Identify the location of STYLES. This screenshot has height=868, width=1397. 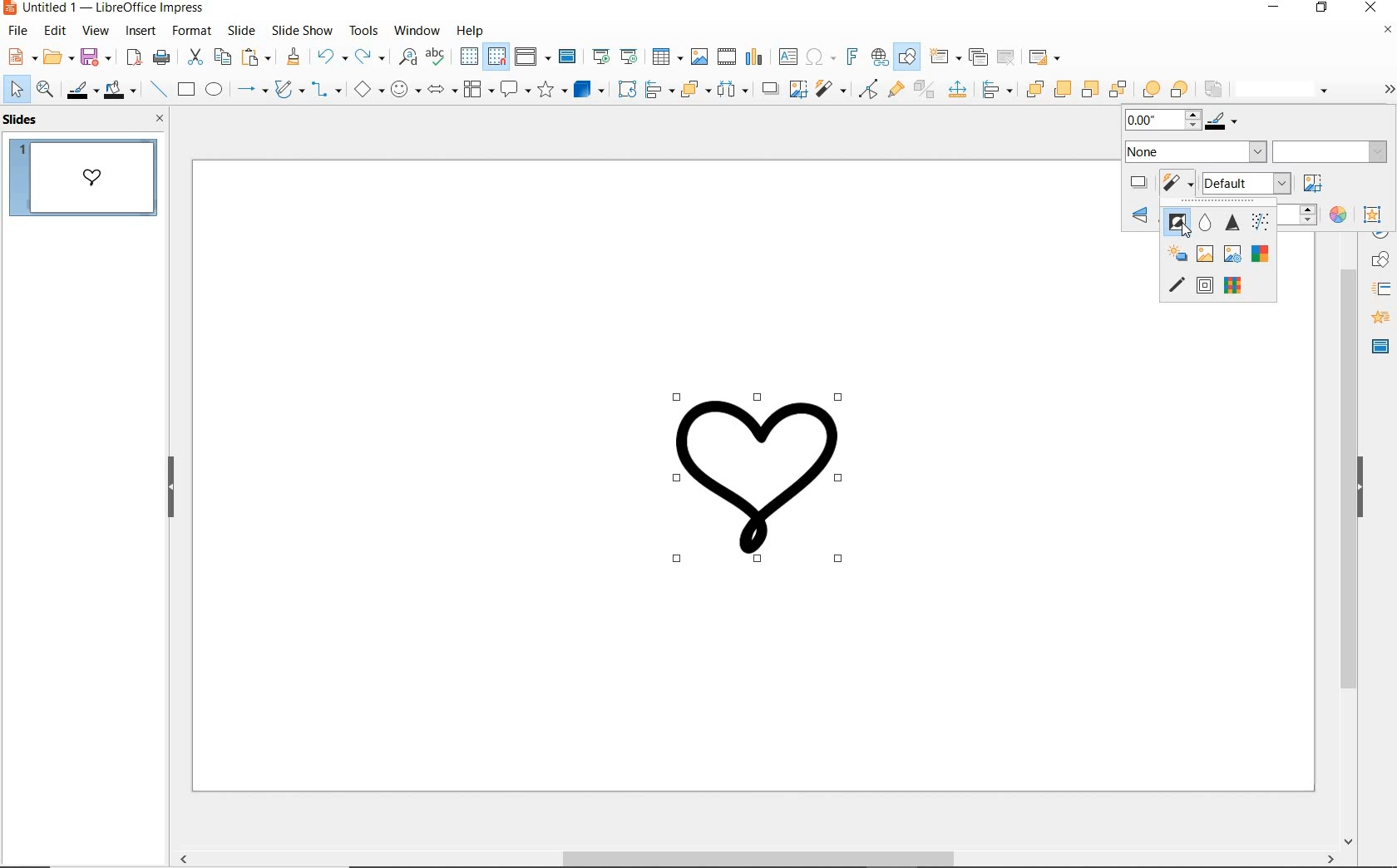
(1381, 287).